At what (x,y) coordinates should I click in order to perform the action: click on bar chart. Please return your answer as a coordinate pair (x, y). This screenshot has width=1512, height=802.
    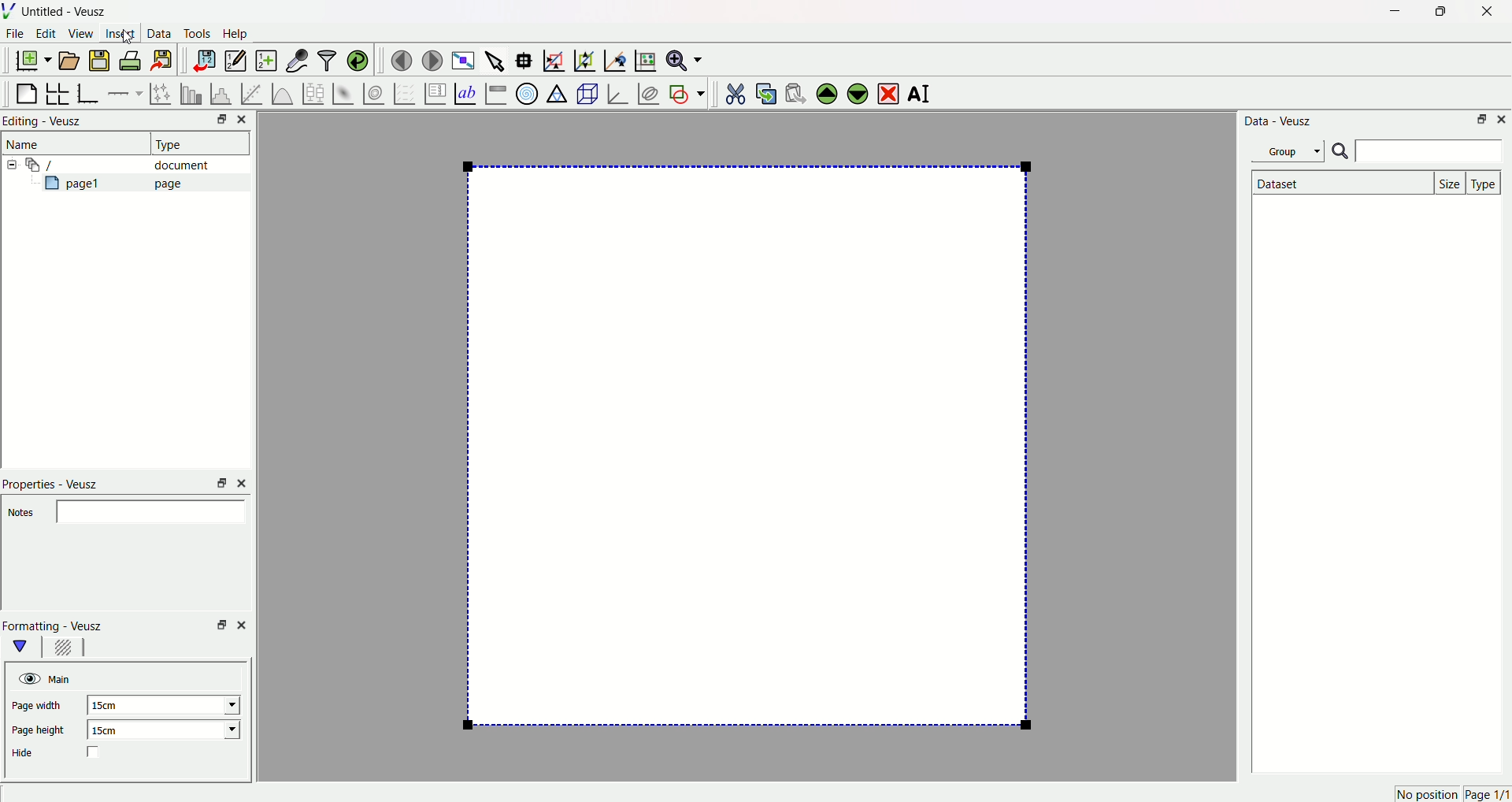
    Looking at the image, I should click on (189, 91).